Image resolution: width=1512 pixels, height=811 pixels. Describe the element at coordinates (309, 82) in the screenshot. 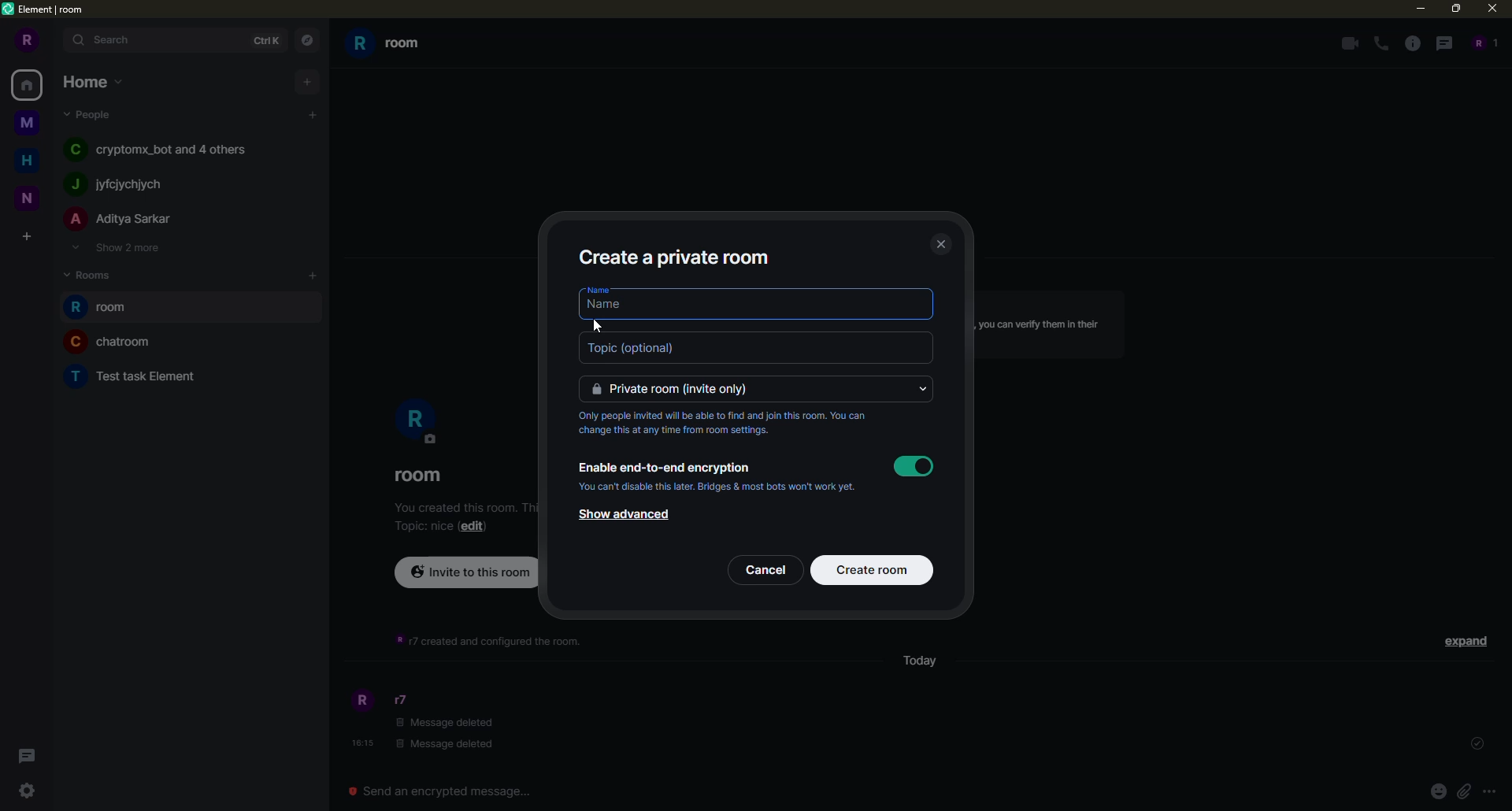

I see `add` at that location.